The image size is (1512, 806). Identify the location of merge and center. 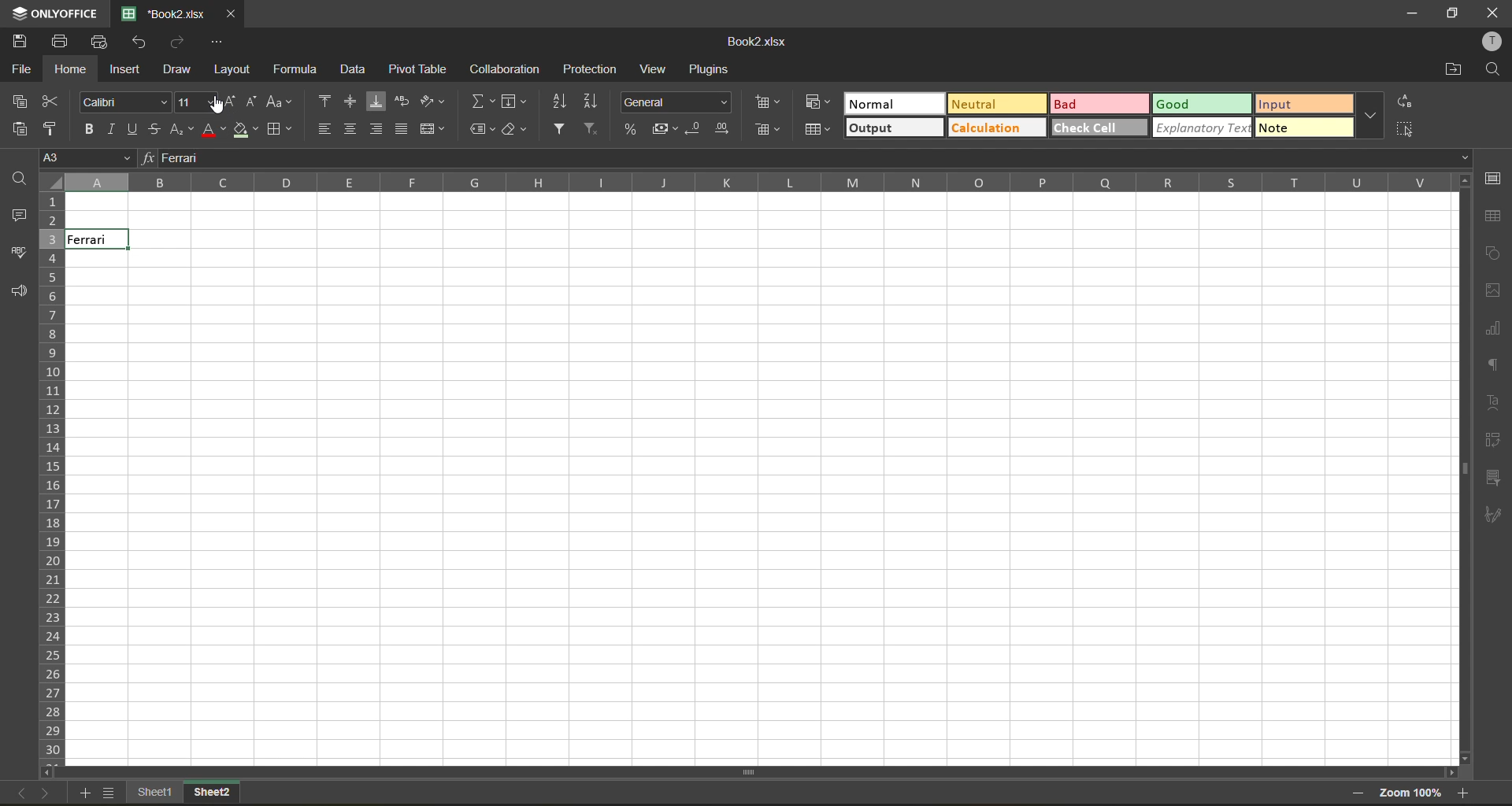
(432, 130).